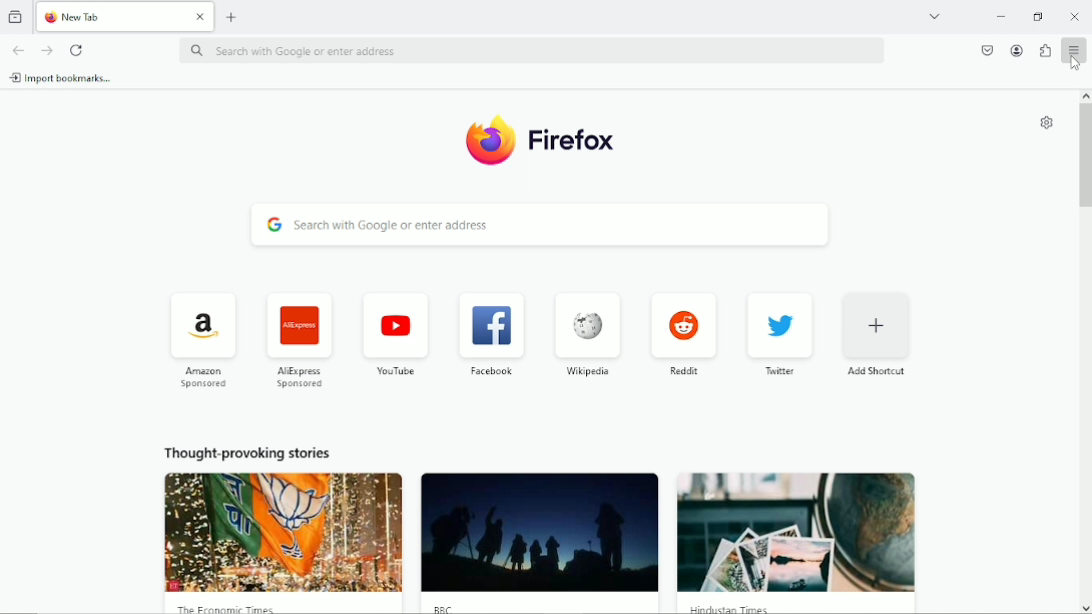 This screenshot has width=1092, height=614. I want to click on scroll up, so click(1085, 95).